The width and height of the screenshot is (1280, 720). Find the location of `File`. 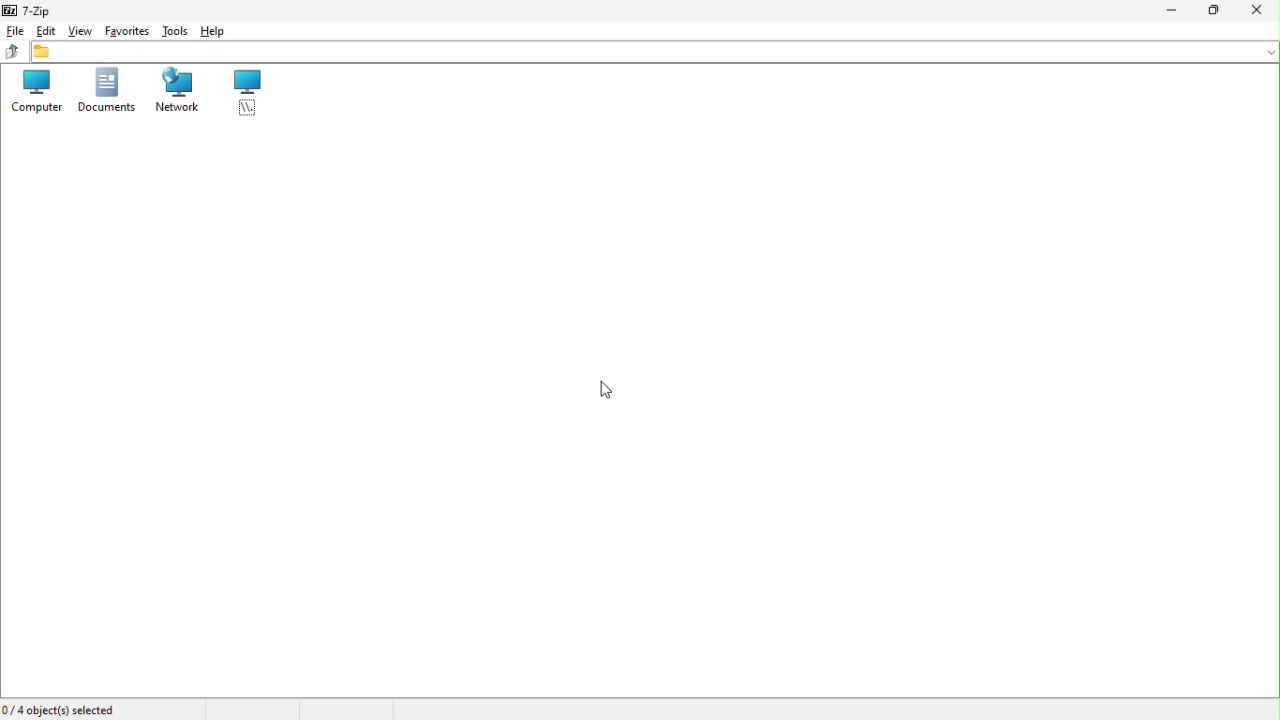

File is located at coordinates (13, 31).